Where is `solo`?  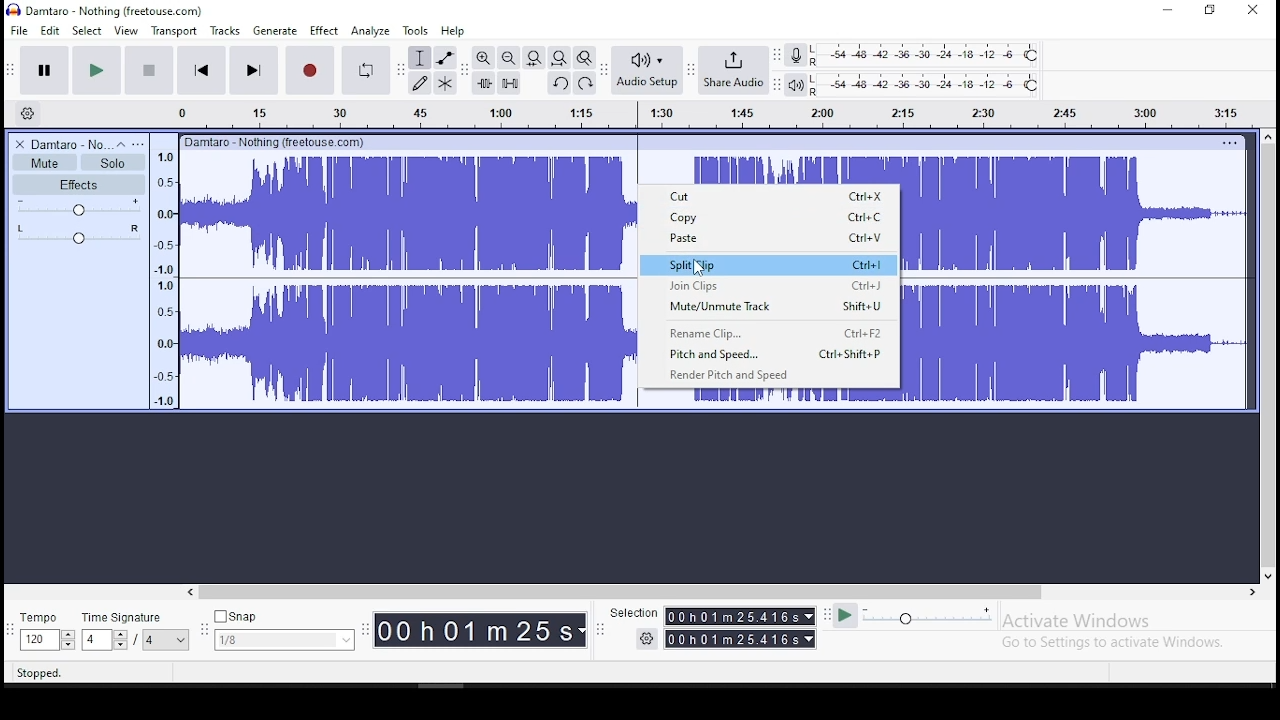 solo is located at coordinates (113, 162).